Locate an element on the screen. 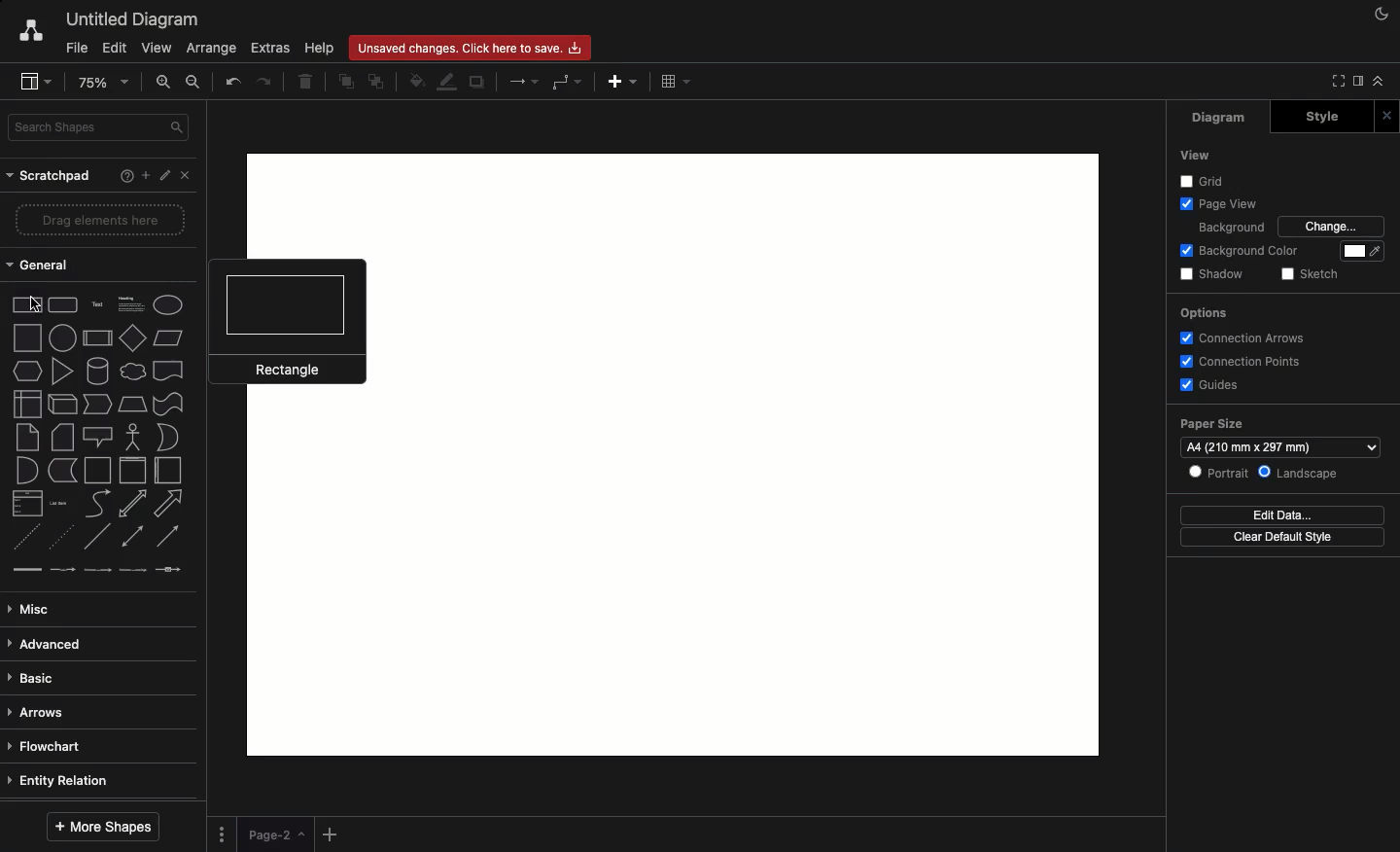 The height and width of the screenshot is (852, 1400). Delete is located at coordinates (310, 84).